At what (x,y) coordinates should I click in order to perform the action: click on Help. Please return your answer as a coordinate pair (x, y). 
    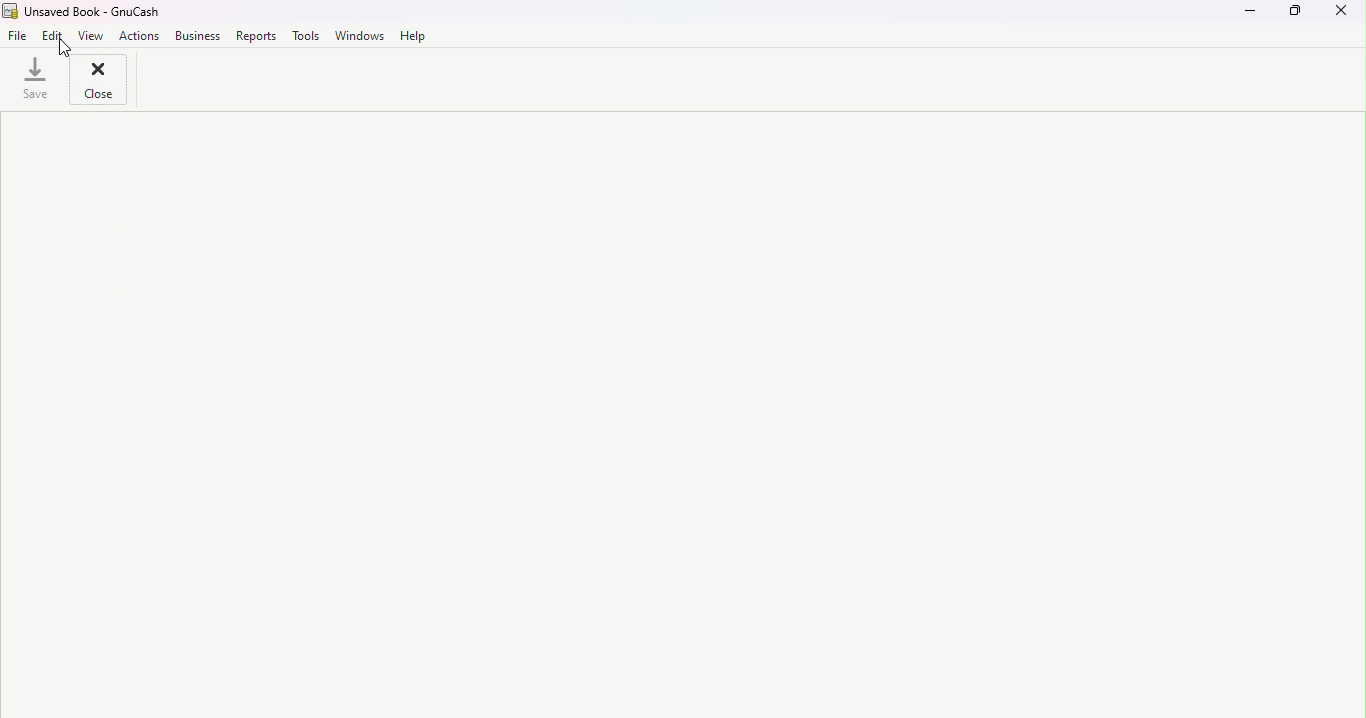
    Looking at the image, I should click on (409, 36).